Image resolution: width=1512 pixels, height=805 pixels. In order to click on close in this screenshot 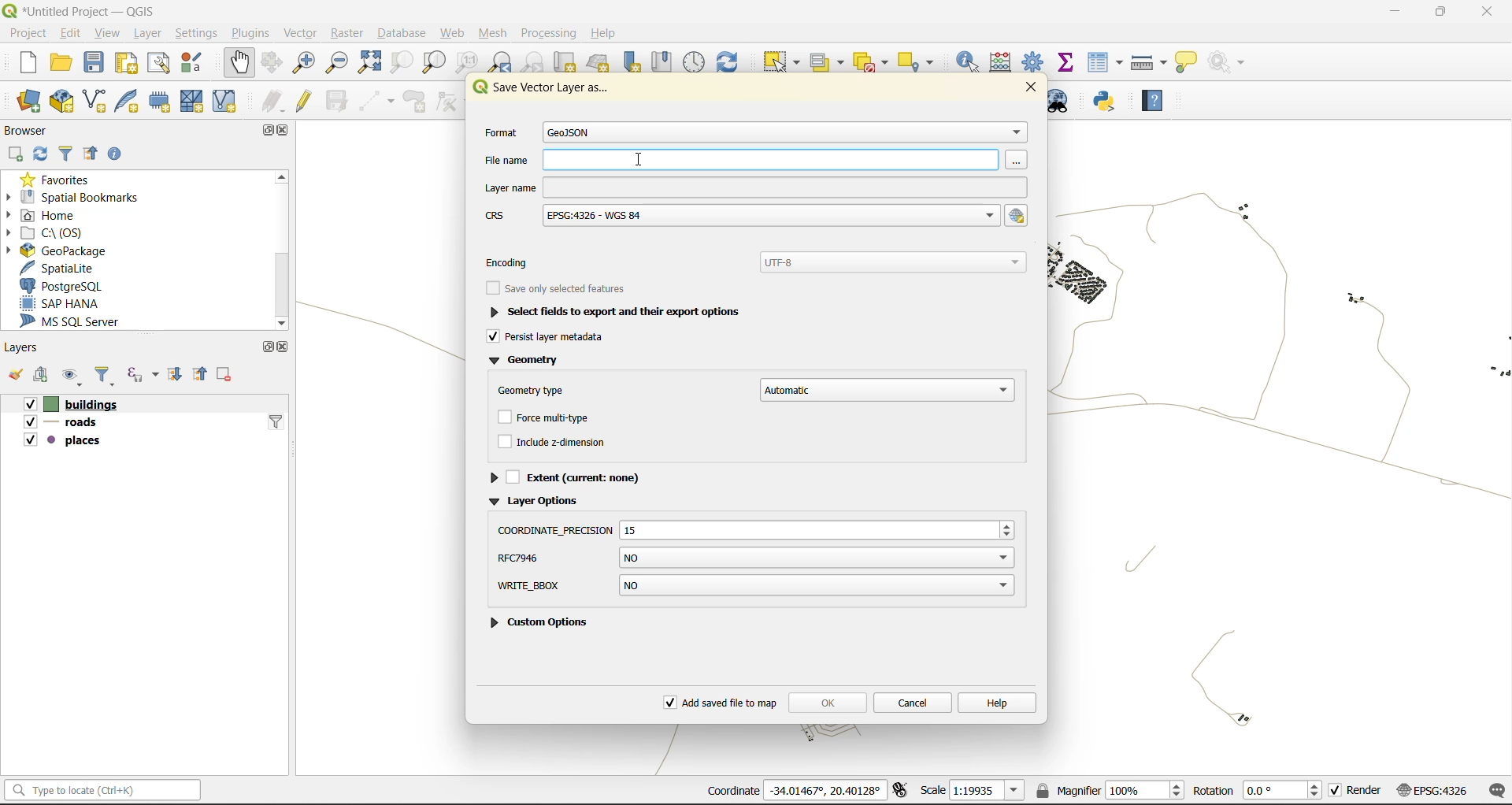, I will do `click(1487, 13)`.